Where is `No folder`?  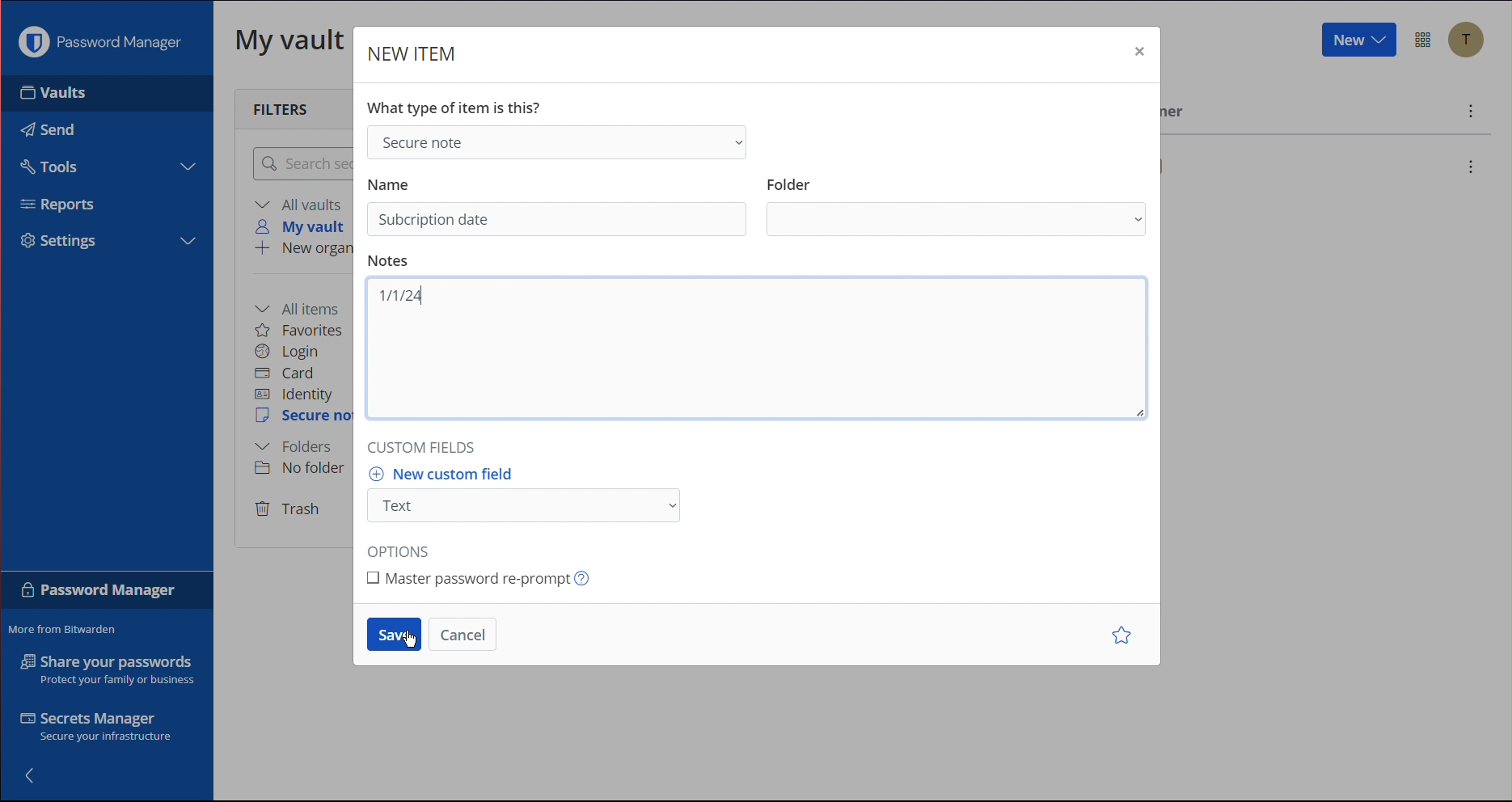 No folder is located at coordinates (305, 467).